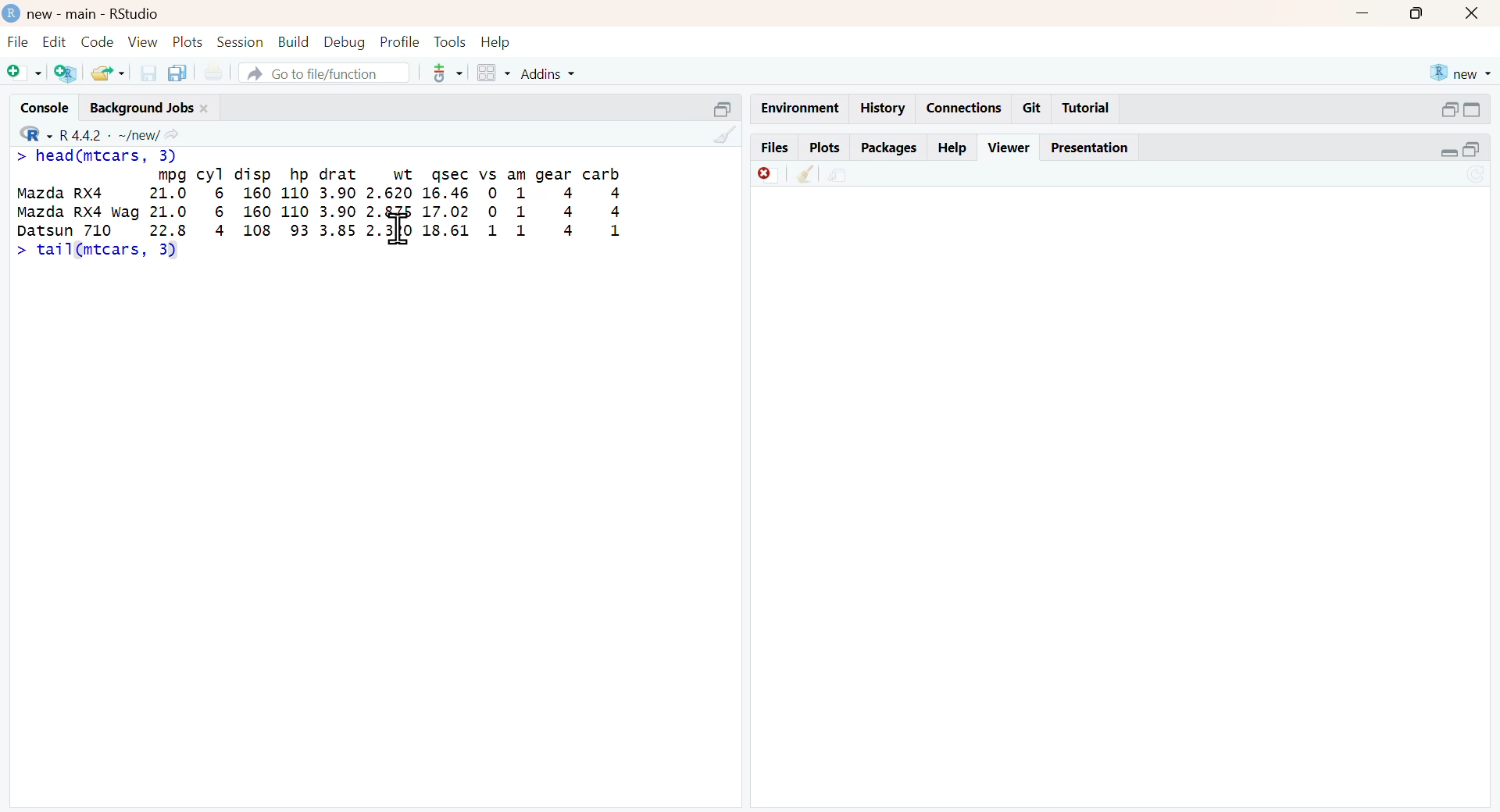 The image size is (1500, 812). What do you see at coordinates (487, 73) in the screenshot?
I see `windows pane` at bounding box center [487, 73].